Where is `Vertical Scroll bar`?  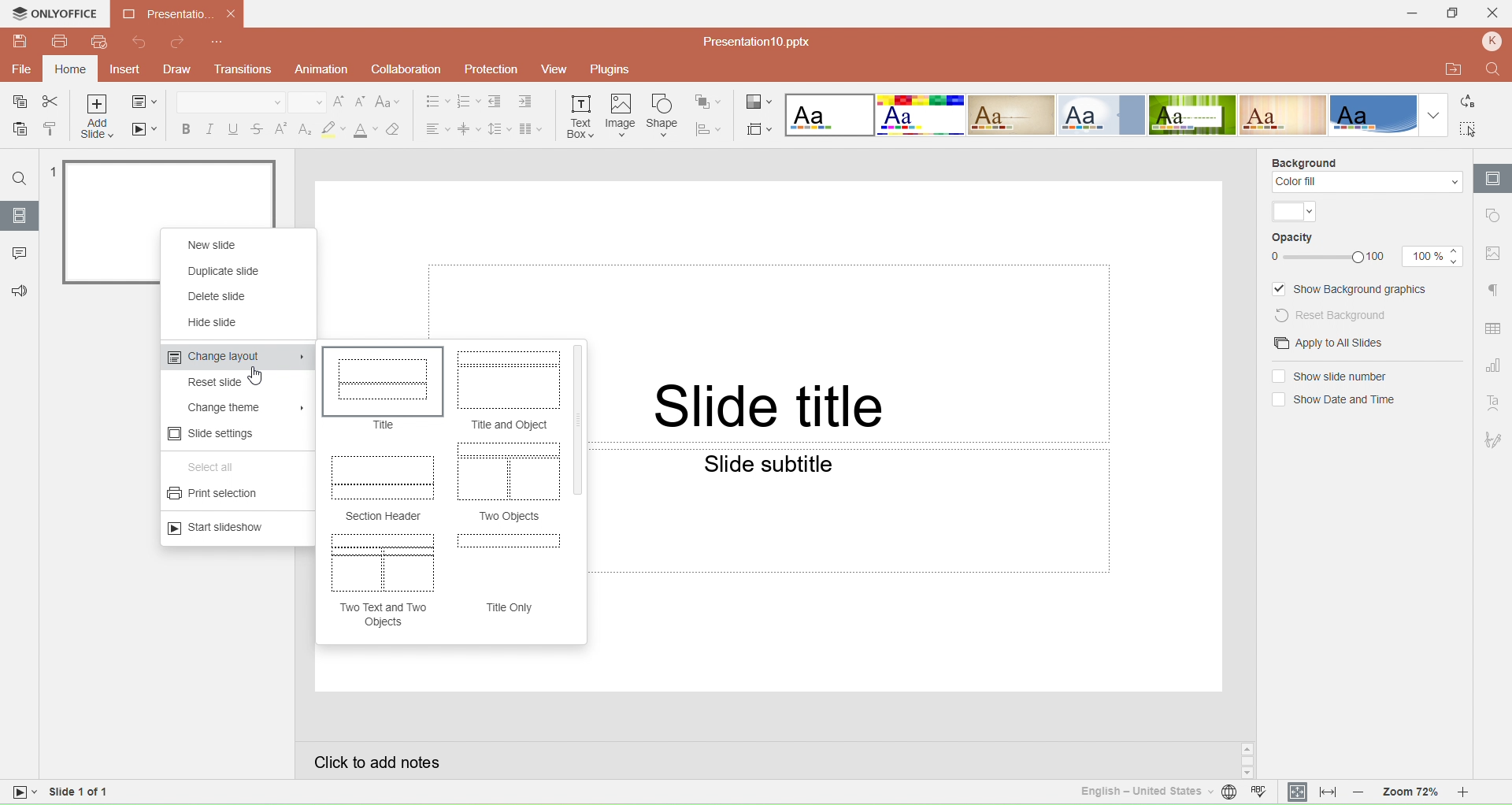
Vertical Scroll bar is located at coordinates (580, 420).